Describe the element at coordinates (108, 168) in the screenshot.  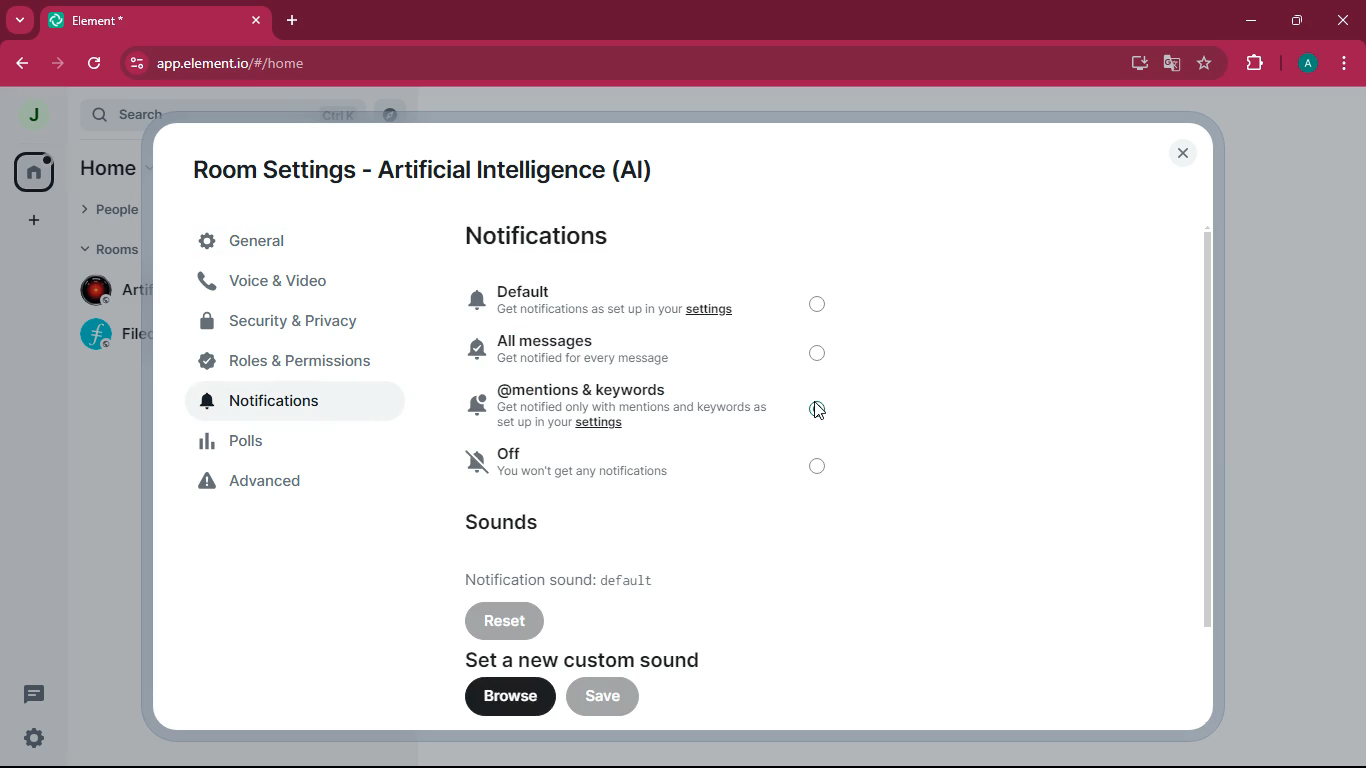
I see `home` at that location.